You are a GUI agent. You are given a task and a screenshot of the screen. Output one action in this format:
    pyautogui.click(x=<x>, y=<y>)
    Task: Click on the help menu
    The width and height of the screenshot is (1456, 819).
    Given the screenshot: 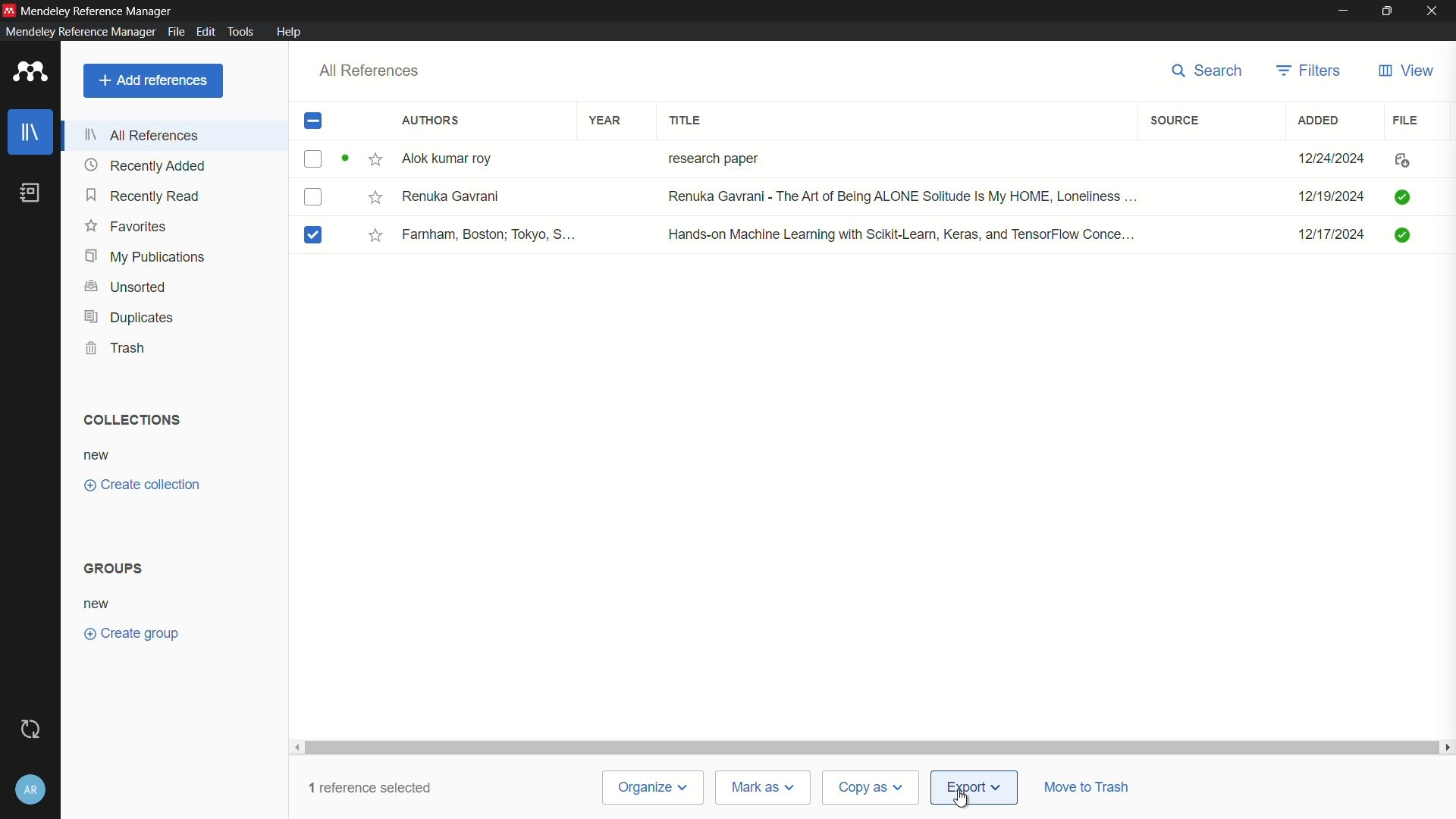 What is the action you would take?
    pyautogui.click(x=290, y=32)
    